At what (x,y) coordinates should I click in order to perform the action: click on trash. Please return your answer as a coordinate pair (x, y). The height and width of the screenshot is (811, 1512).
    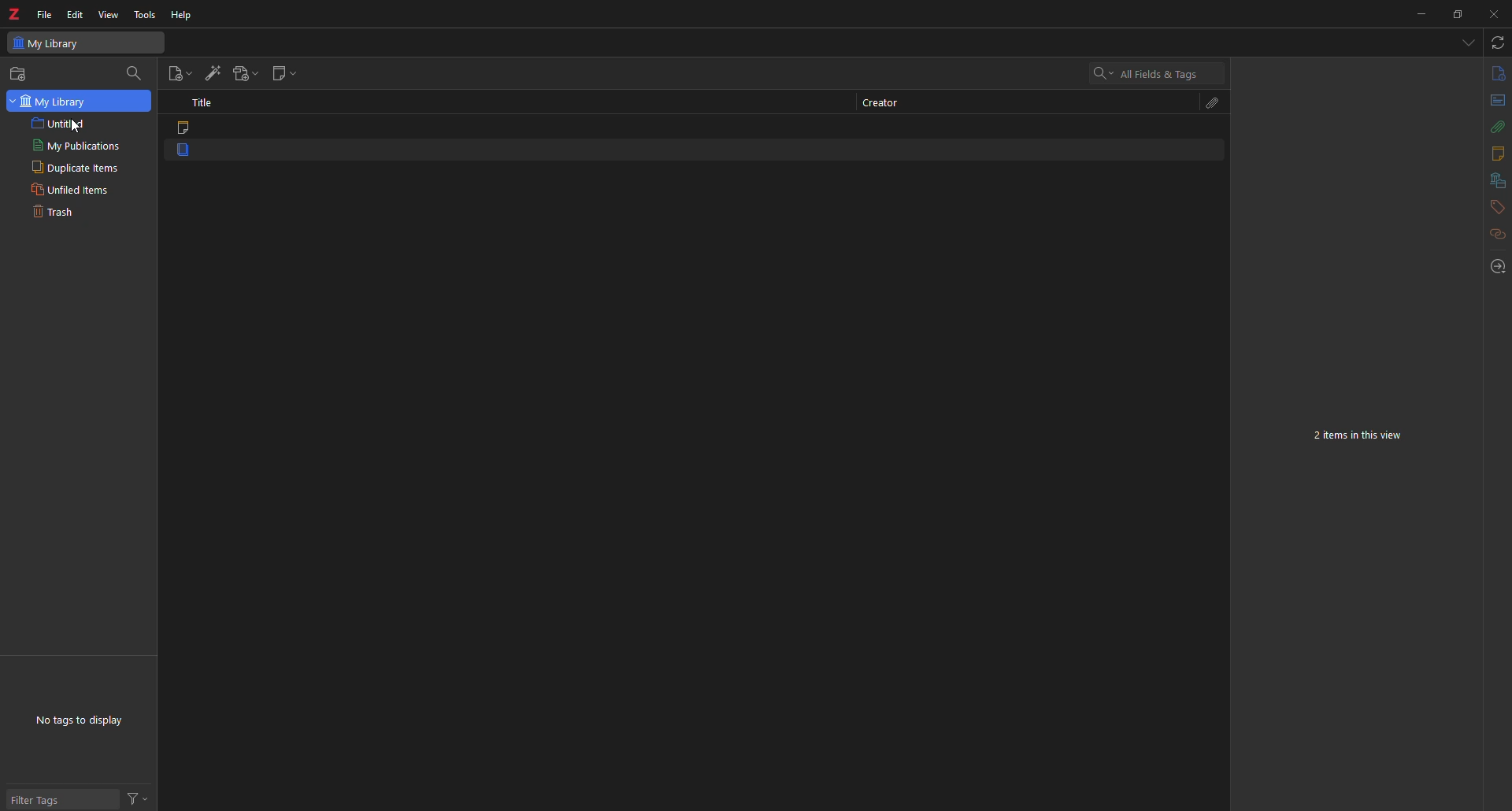
    Looking at the image, I should click on (55, 214).